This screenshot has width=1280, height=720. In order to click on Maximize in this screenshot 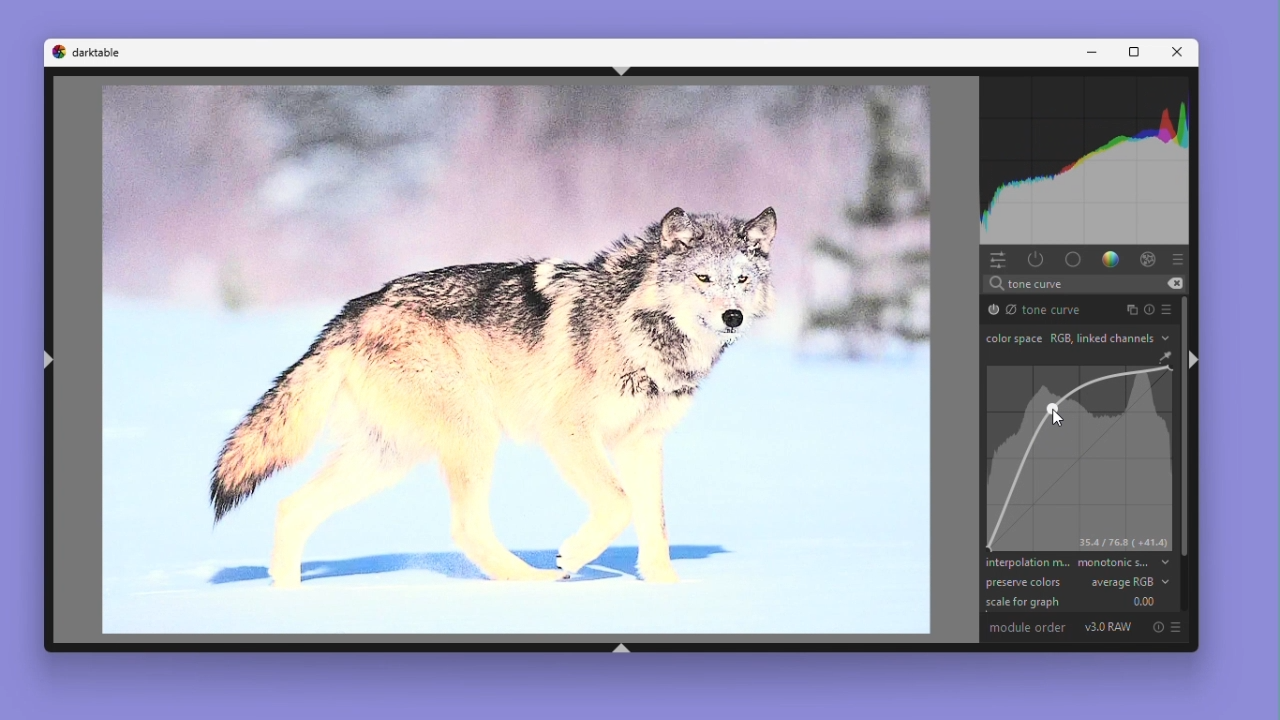, I will do `click(1135, 52)`.